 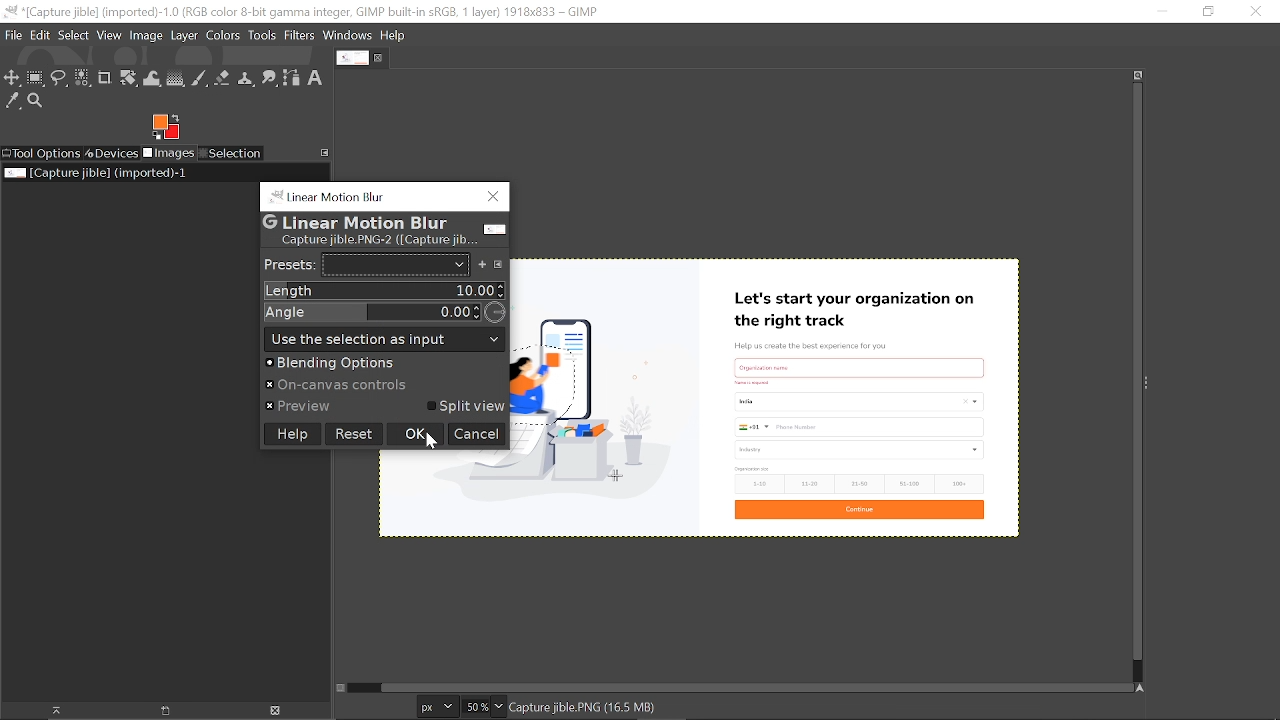 What do you see at coordinates (476, 435) in the screenshot?
I see `Cancel` at bounding box center [476, 435].